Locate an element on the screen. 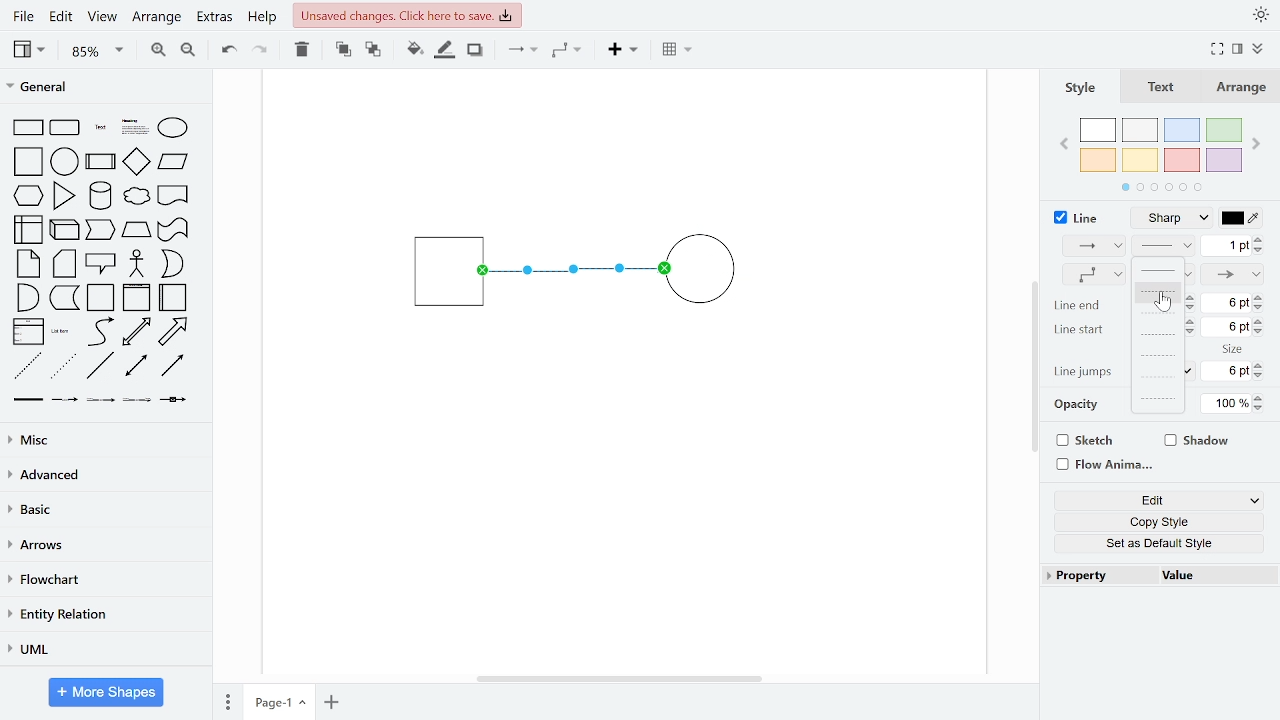 The image size is (1280, 720). basic is located at coordinates (104, 509).